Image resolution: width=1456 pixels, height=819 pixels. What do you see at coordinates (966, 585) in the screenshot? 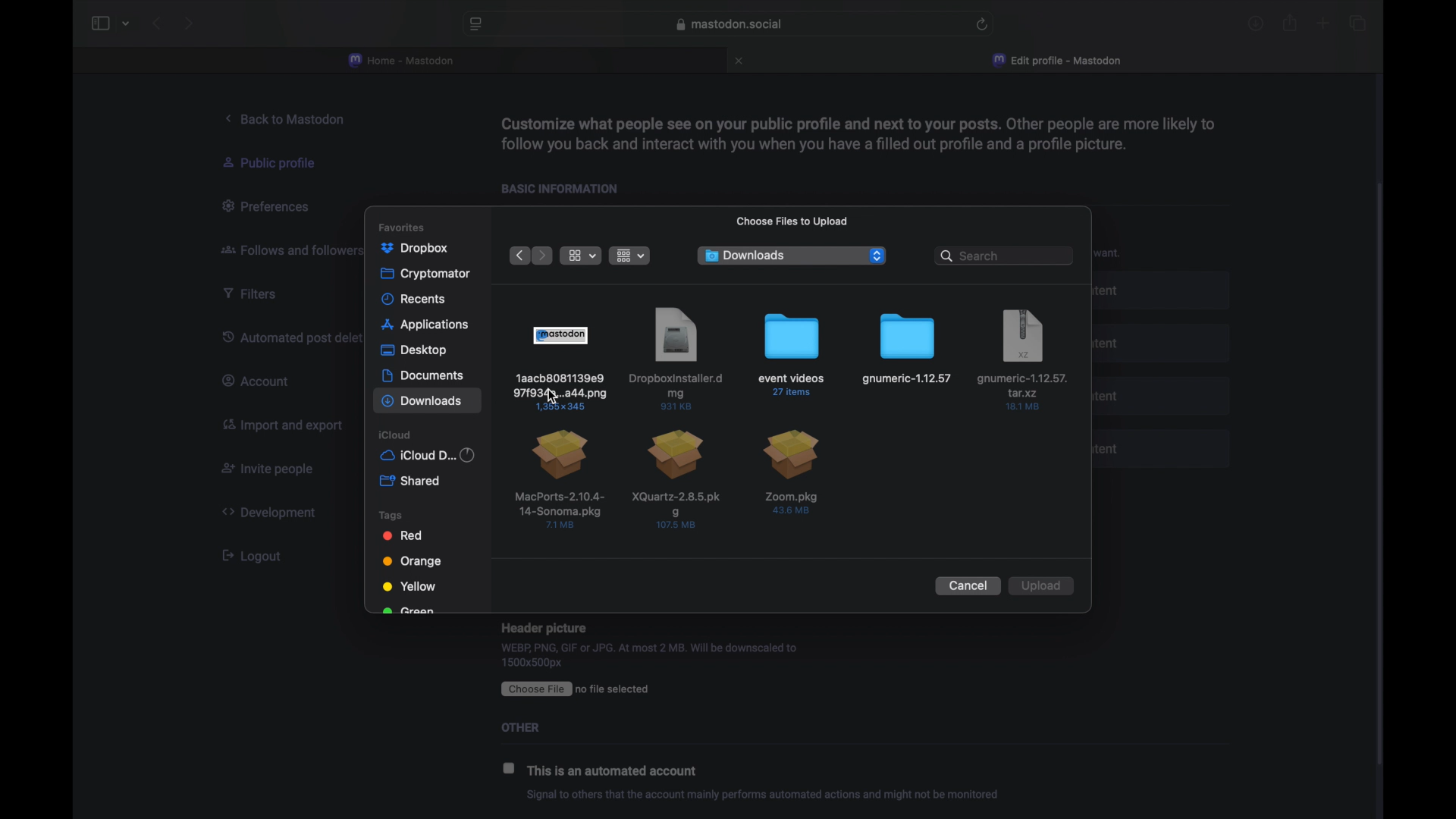
I see `cancel` at bounding box center [966, 585].